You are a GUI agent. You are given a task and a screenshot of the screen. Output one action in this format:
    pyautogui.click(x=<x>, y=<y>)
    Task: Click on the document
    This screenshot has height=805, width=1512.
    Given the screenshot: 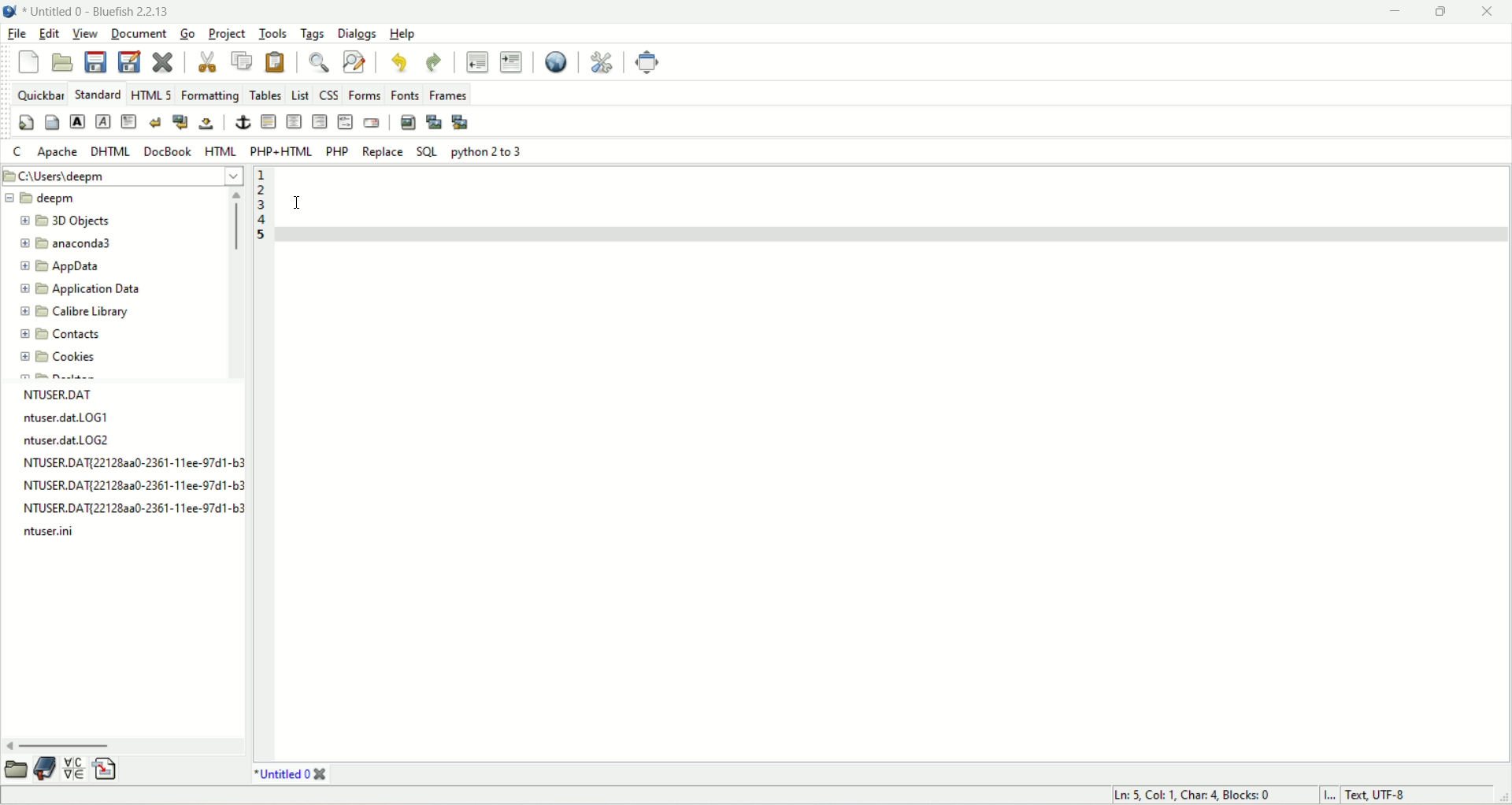 What is the action you would take?
    pyautogui.click(x=143, y=35)
    